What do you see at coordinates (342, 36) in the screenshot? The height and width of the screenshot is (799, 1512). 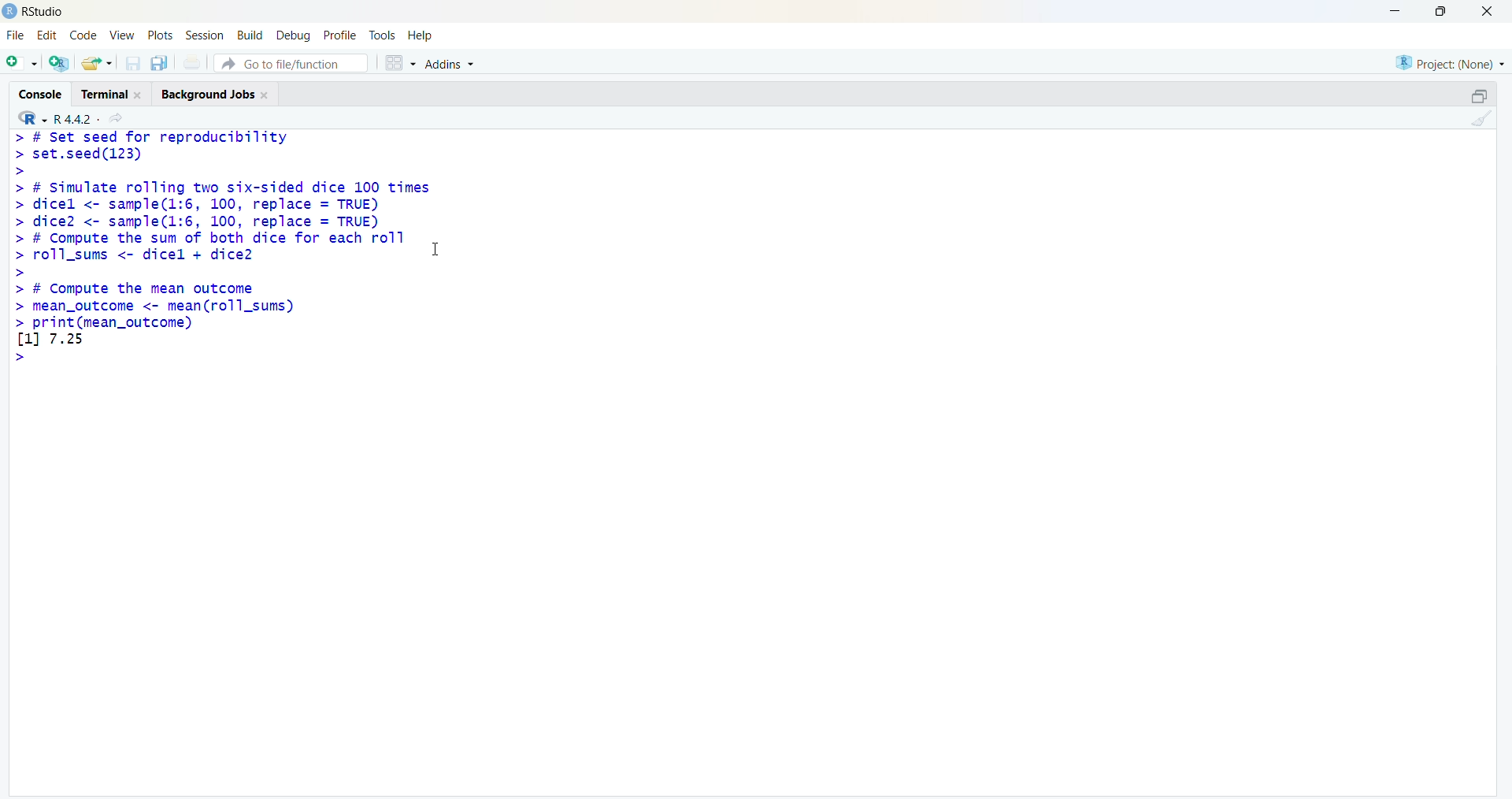 I see `profile` at bounding box center [342, 36].